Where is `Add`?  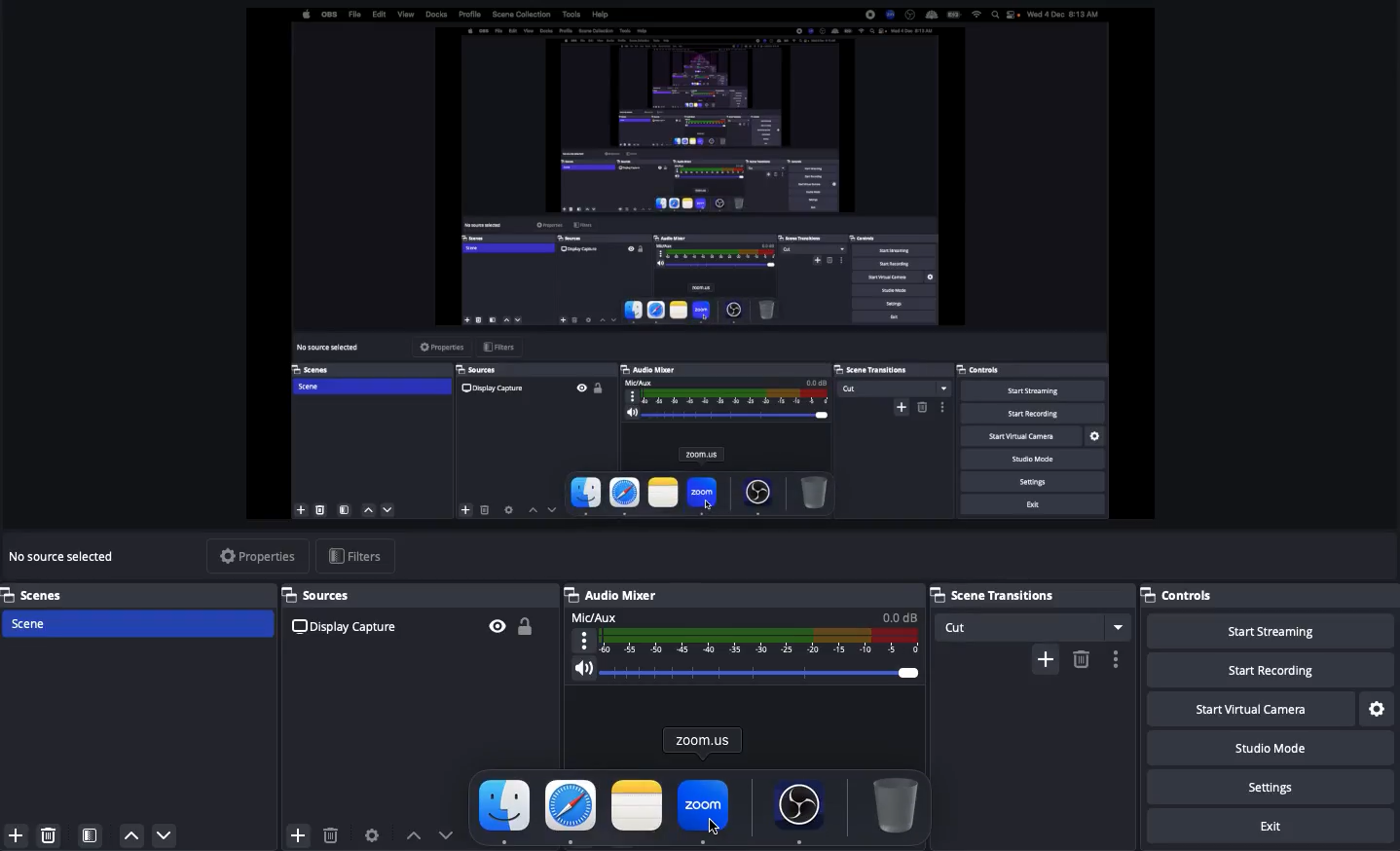
Add is located at coordinates (16, 834).